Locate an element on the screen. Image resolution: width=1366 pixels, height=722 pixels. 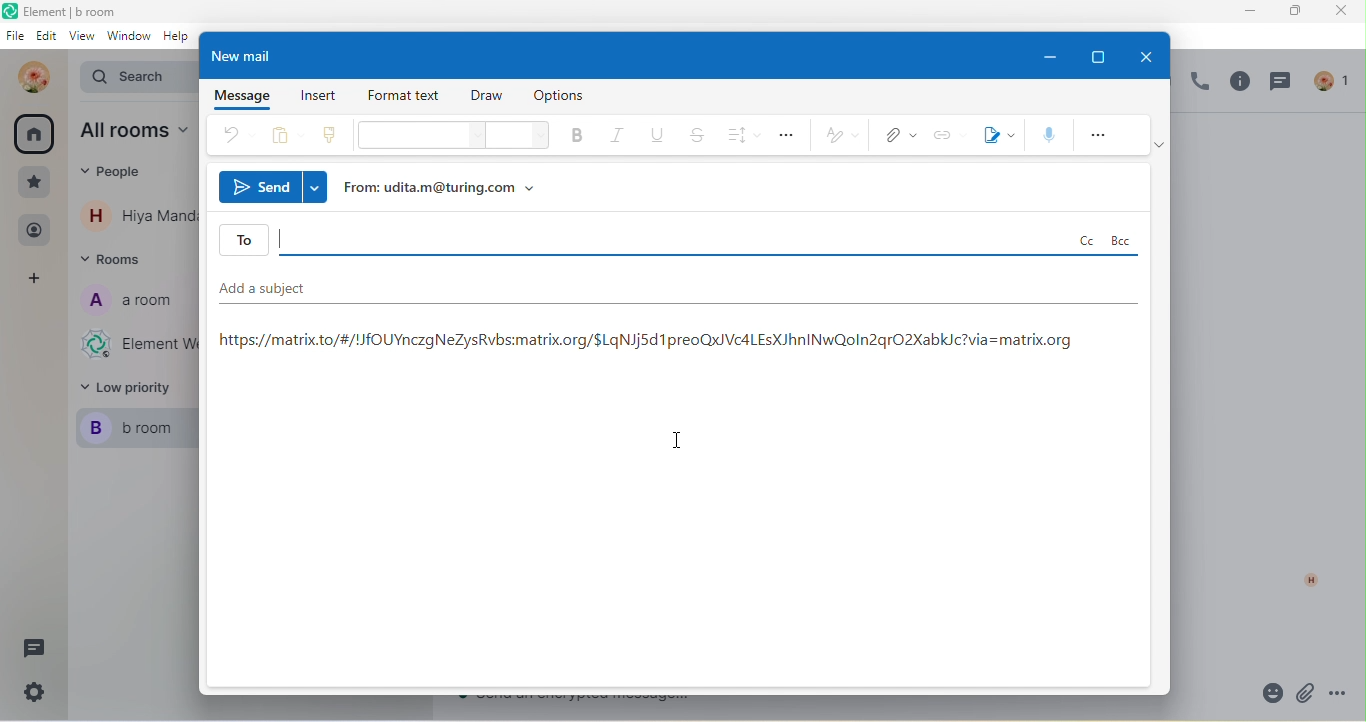
emoji is located at coordinates (1264, 694).